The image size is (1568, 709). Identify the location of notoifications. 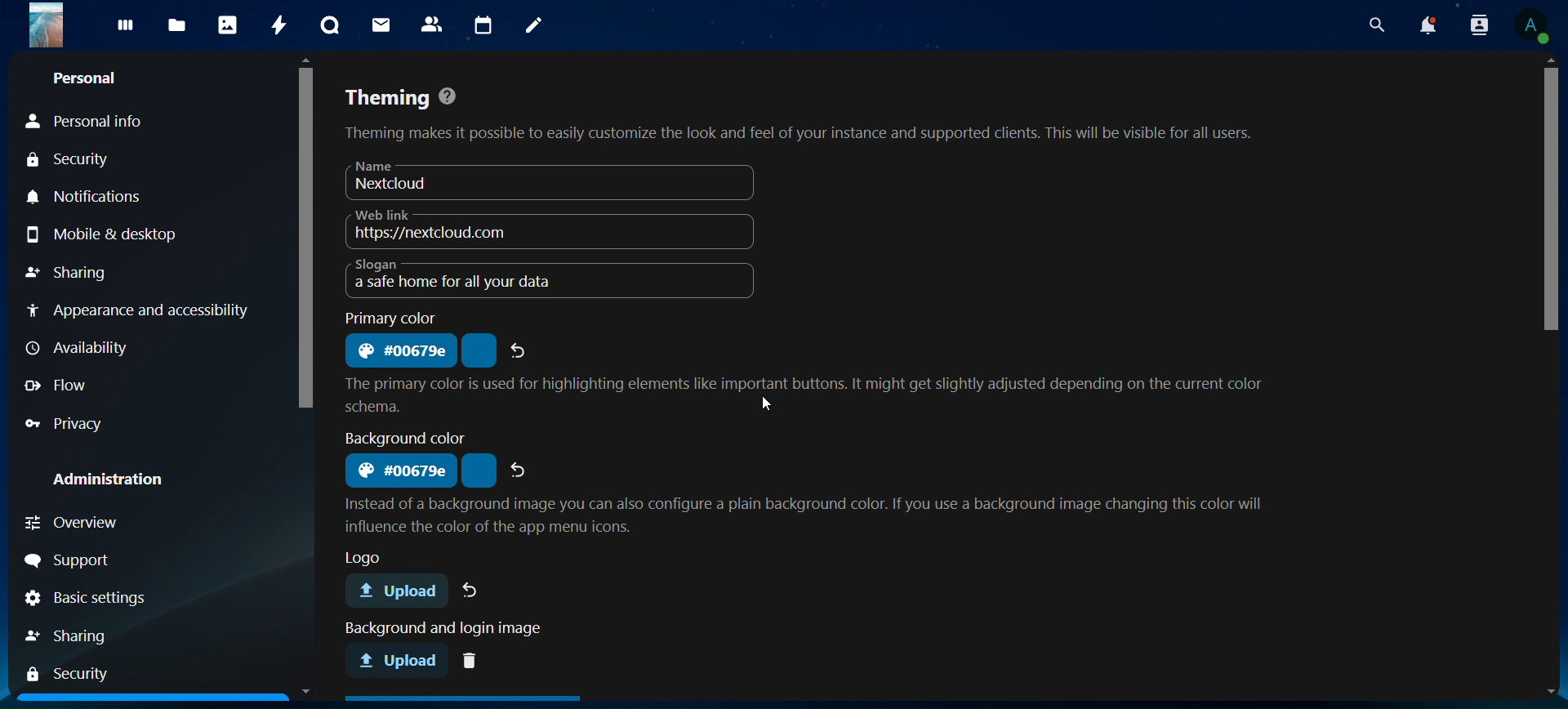
(1429, 26).